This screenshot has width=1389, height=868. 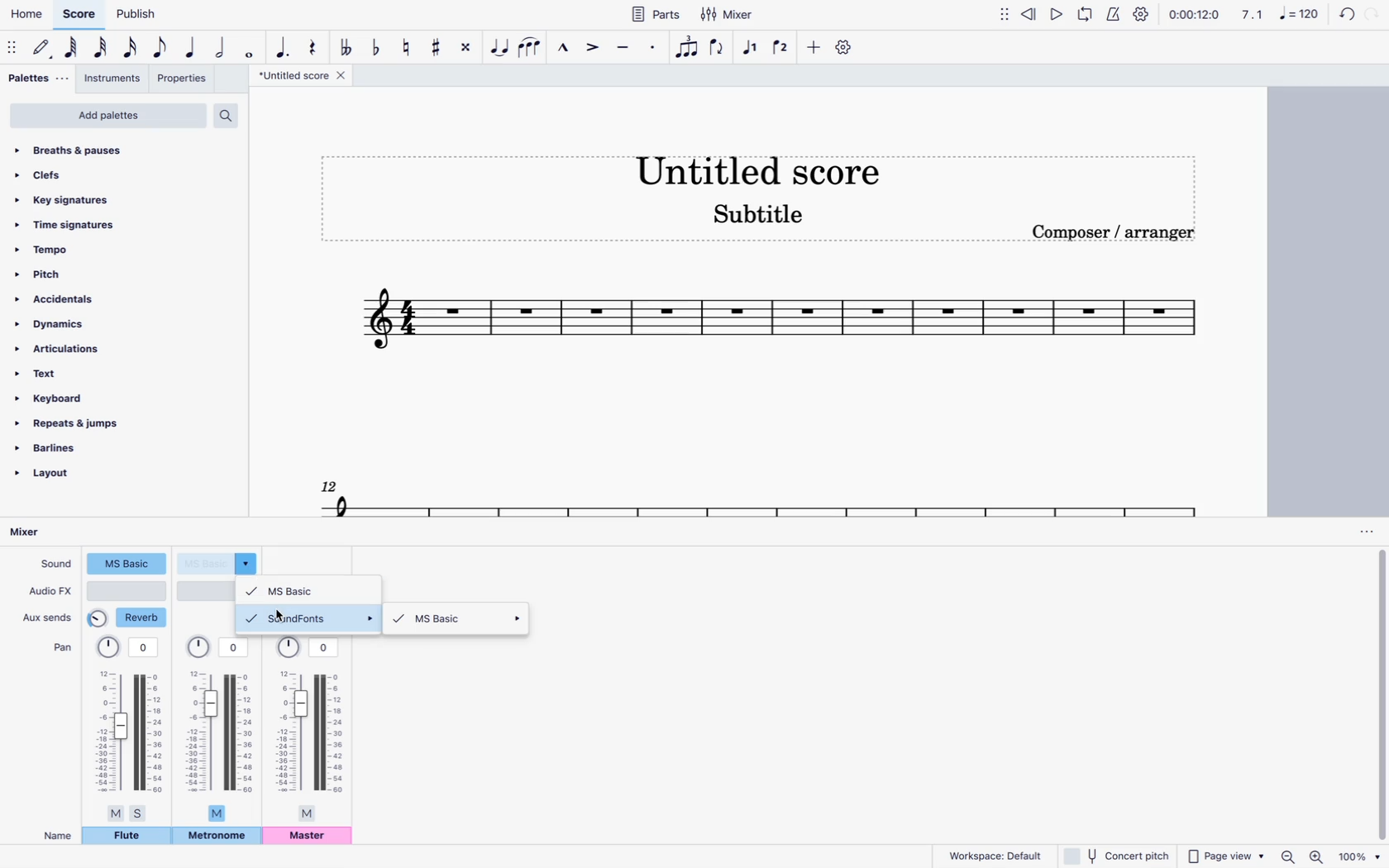 I want to click on barlines, so click(x=79, y=447).